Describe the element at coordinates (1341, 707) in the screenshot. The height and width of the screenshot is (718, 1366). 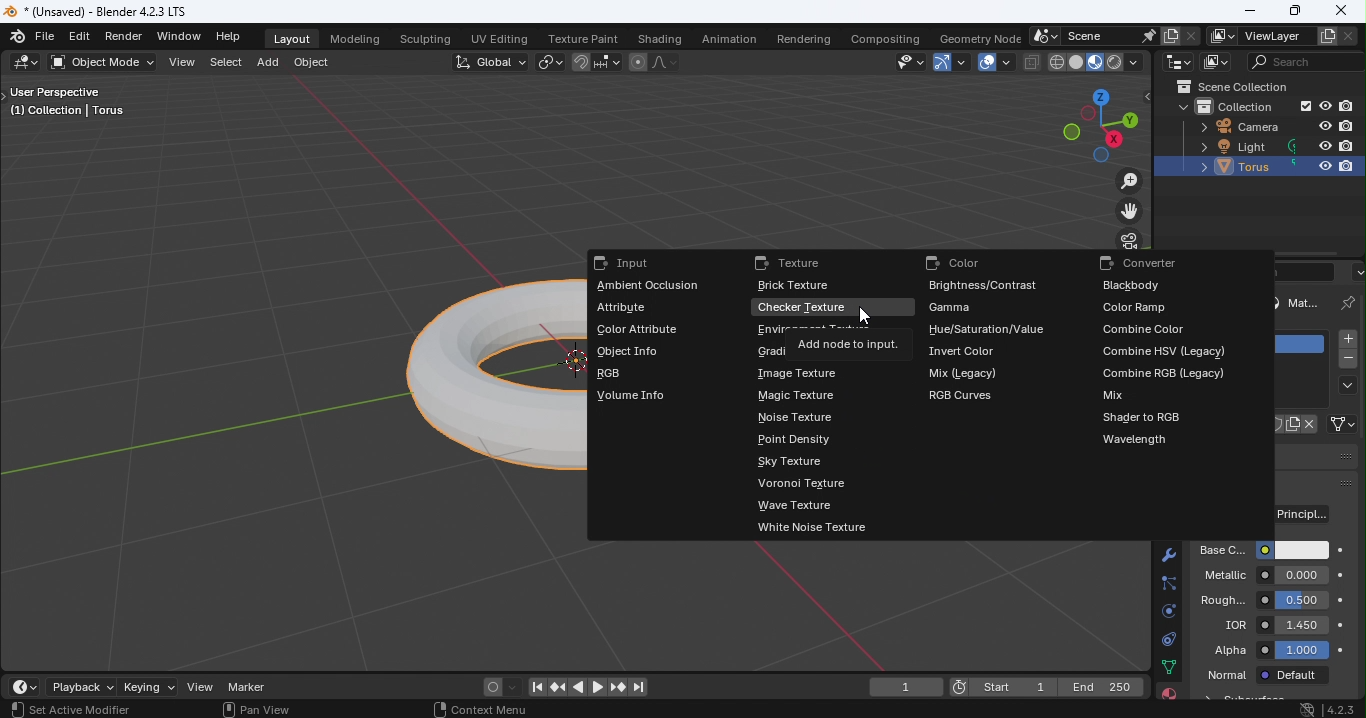
I see `Blender version` at that location.